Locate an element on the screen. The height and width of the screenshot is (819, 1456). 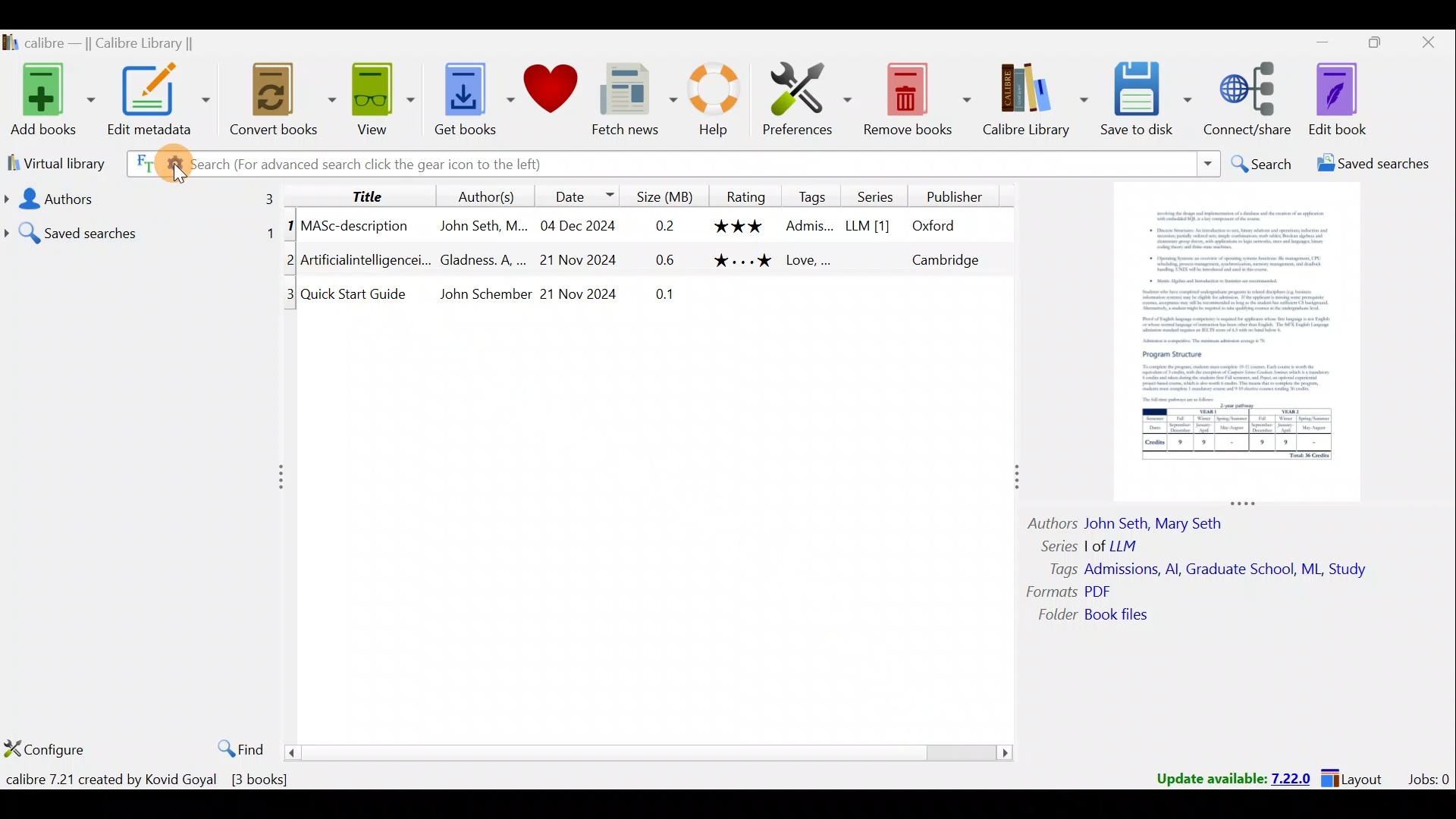
Oxford is located at coordinates (941, 226).